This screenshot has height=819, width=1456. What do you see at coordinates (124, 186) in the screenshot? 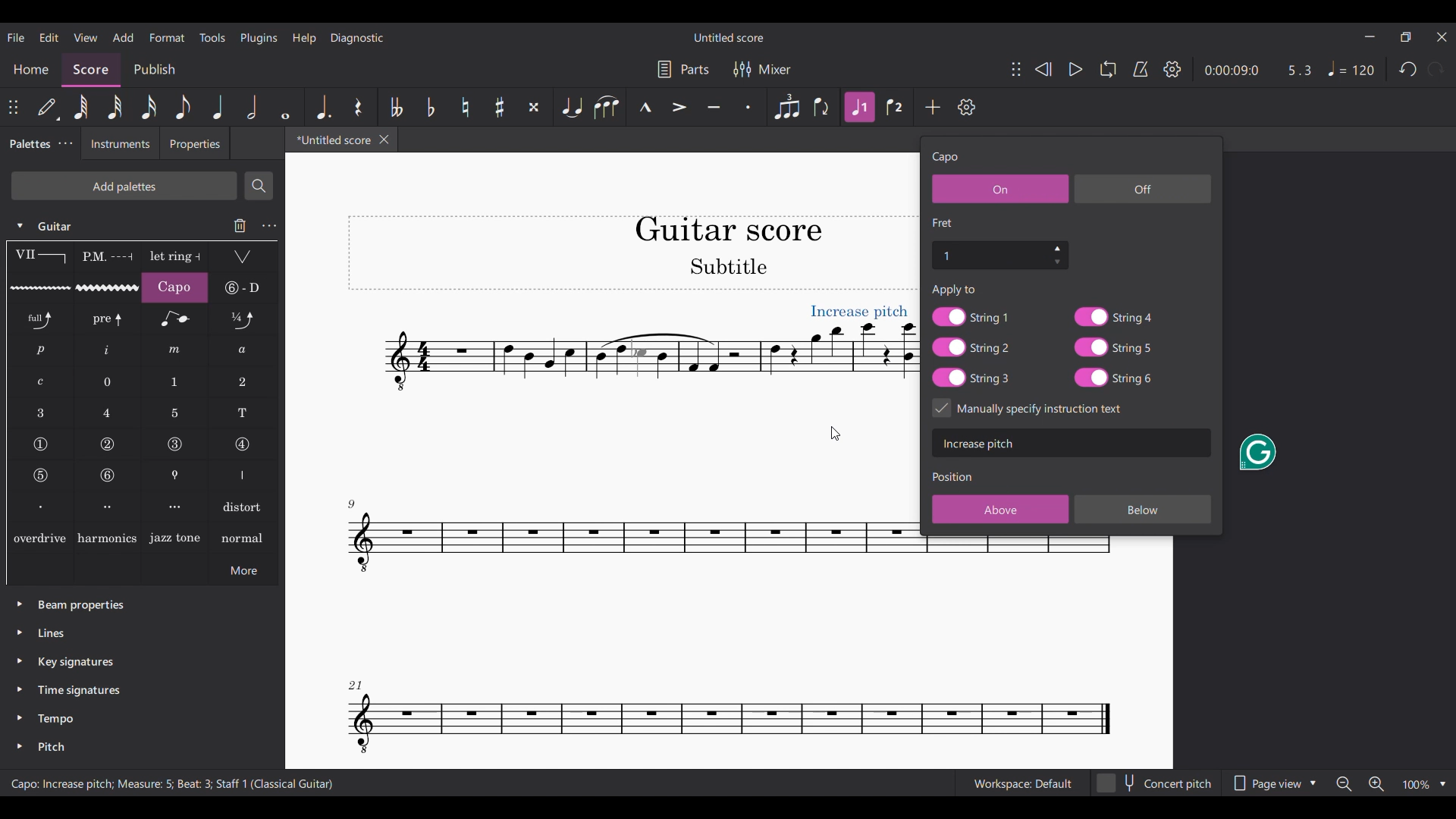
I see `Add palette` at bounding box center [124, 186].